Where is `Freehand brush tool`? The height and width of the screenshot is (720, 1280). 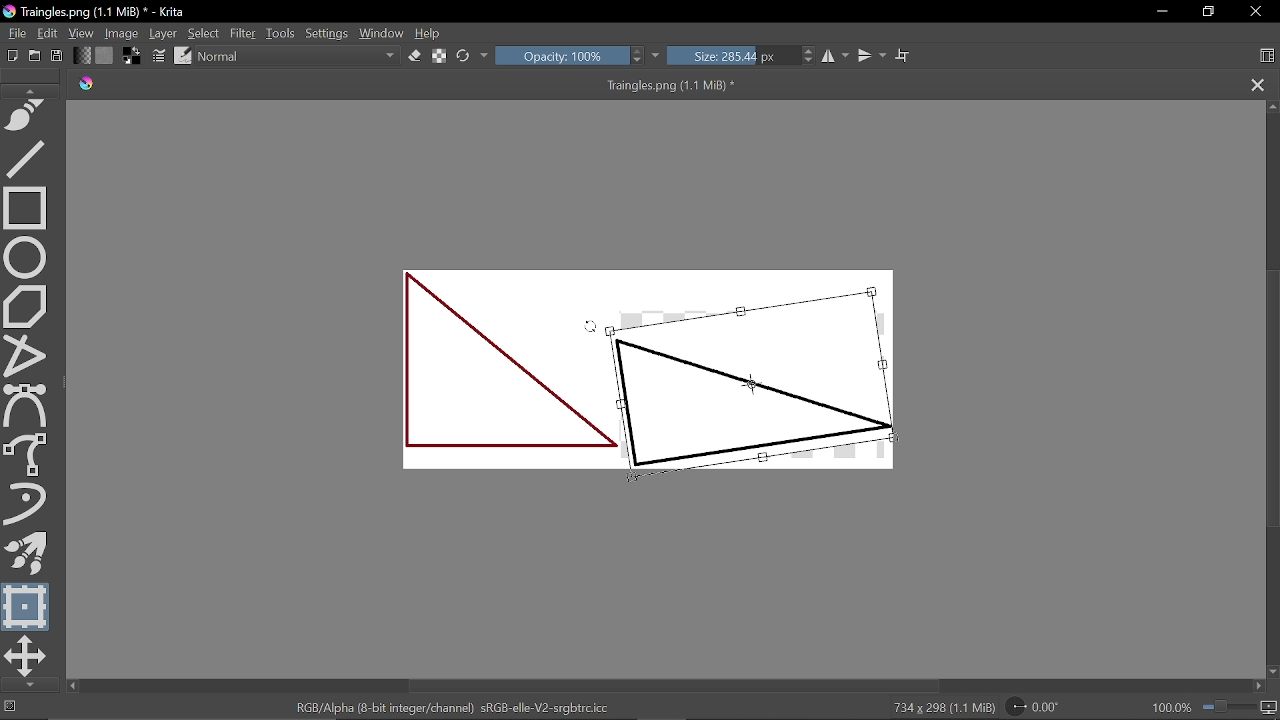 Freehand brush tool is located at coordinates (29, 455).